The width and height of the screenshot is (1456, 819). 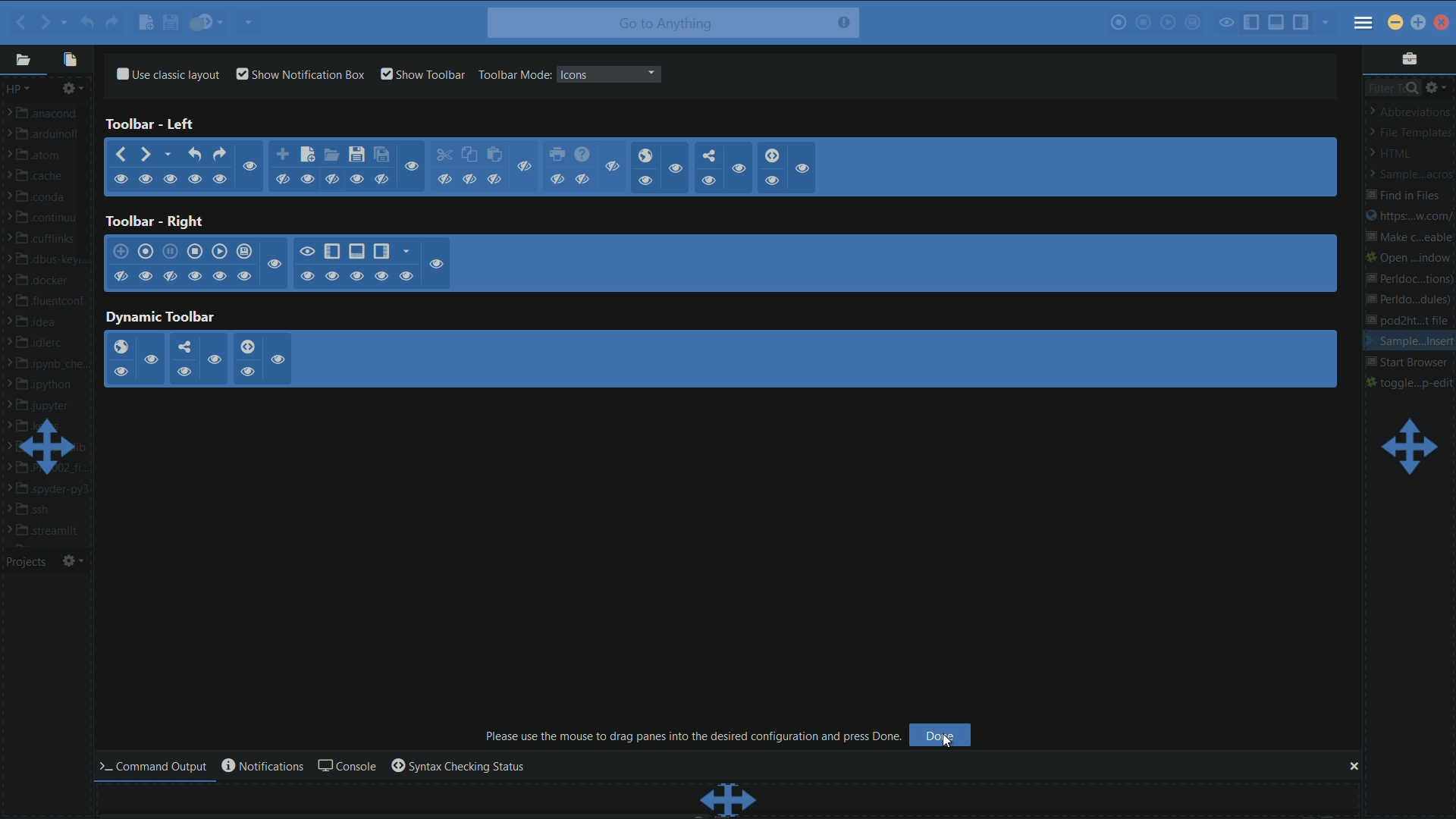 I want to click on toggle focus mode, so click(x=1227, y=22).